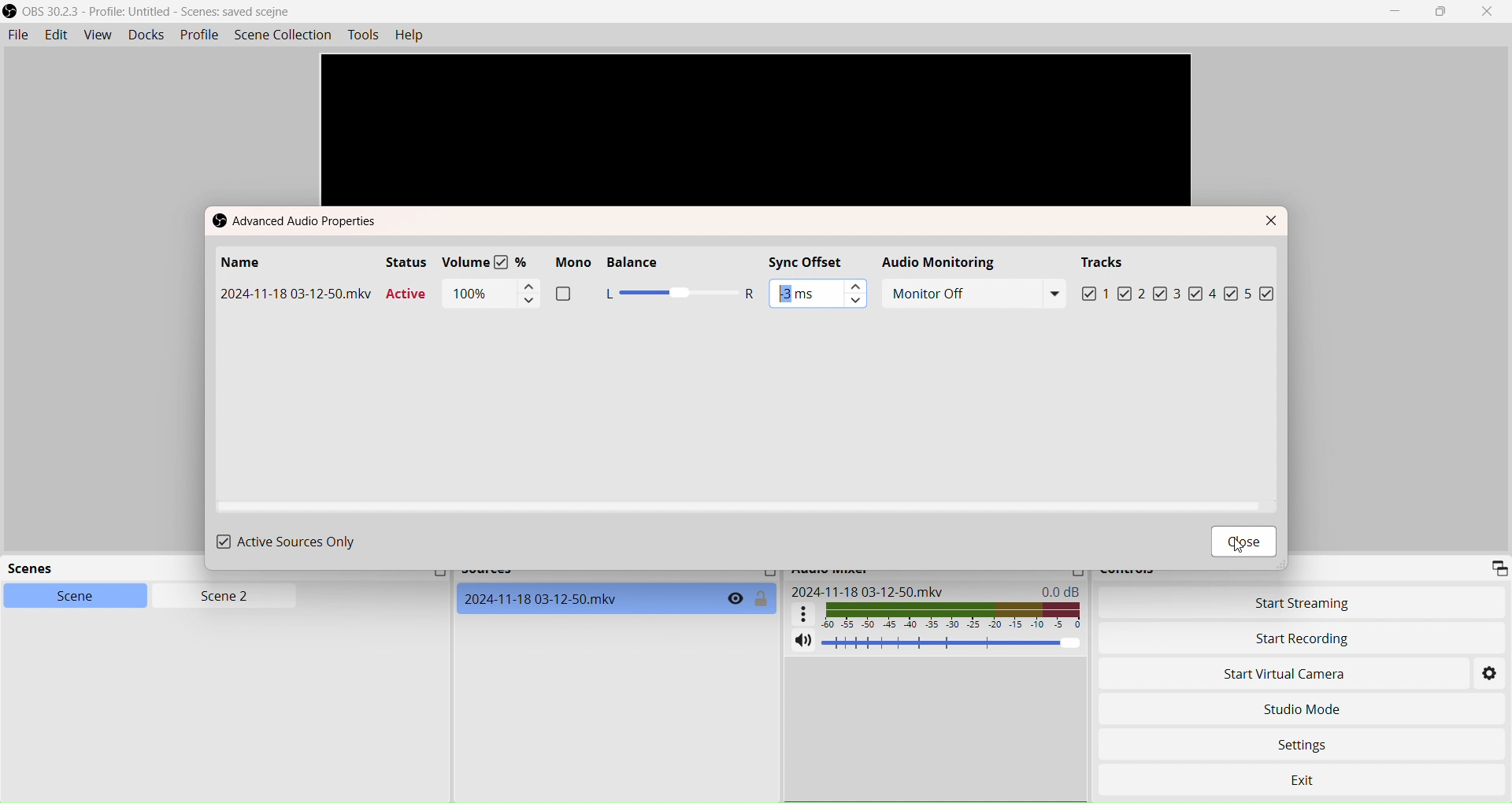 The width and height of the screenshot is (1512, 803). Describe the element at coordinates (472, 294) in the screenshot. I see `100%` at that location.